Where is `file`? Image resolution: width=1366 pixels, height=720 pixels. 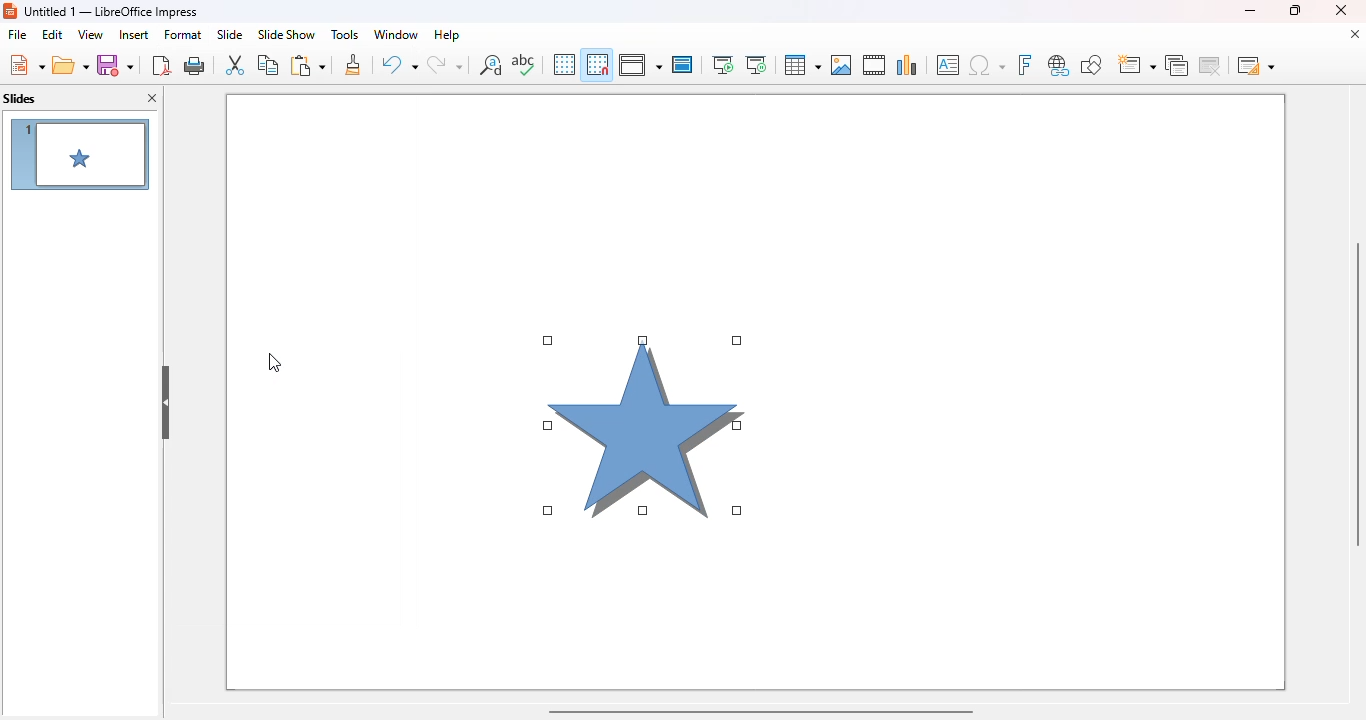 file is located at coordinates (17, 35).